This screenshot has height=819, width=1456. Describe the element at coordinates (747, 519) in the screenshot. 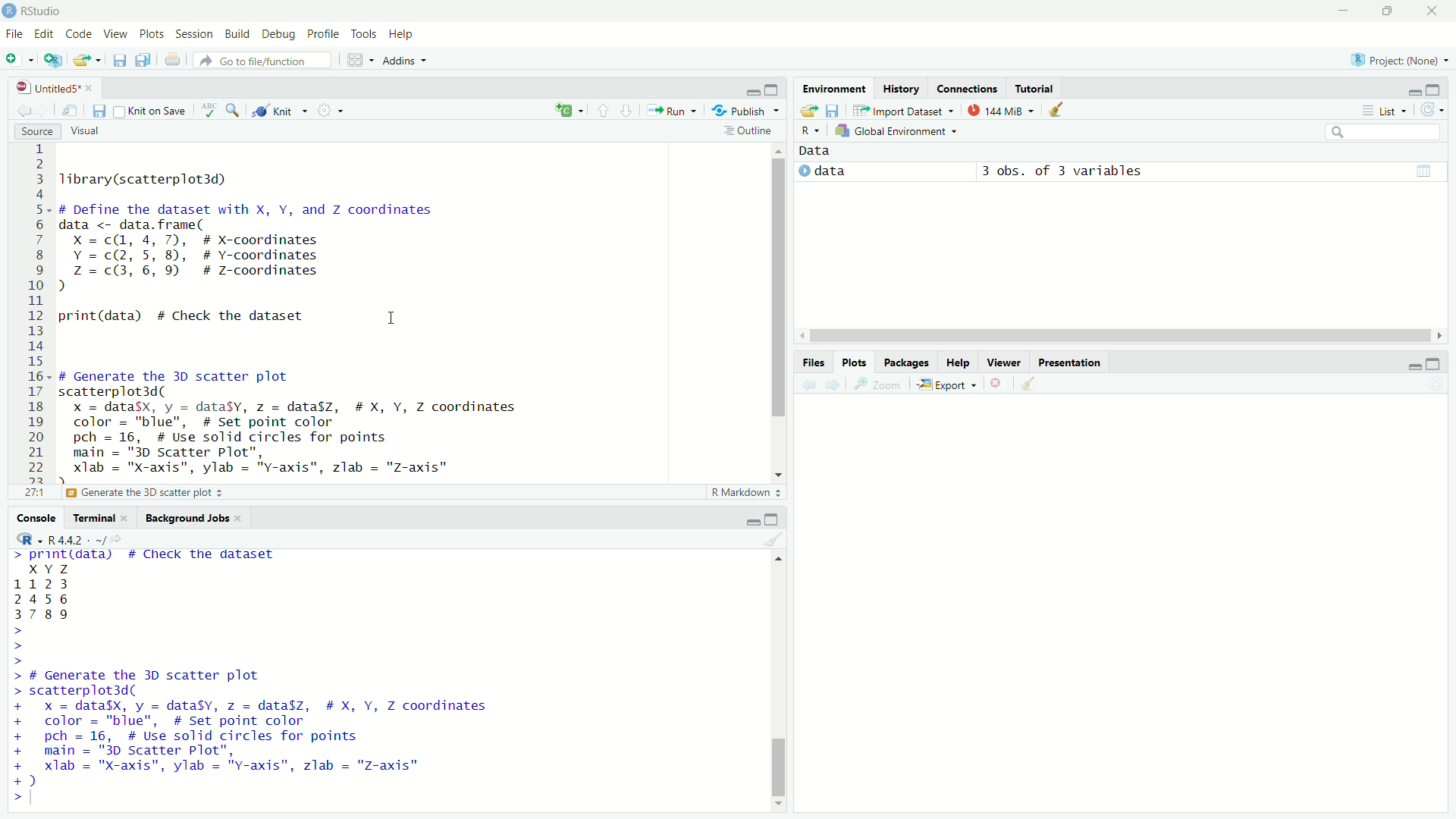

I see `minimize` at that location.